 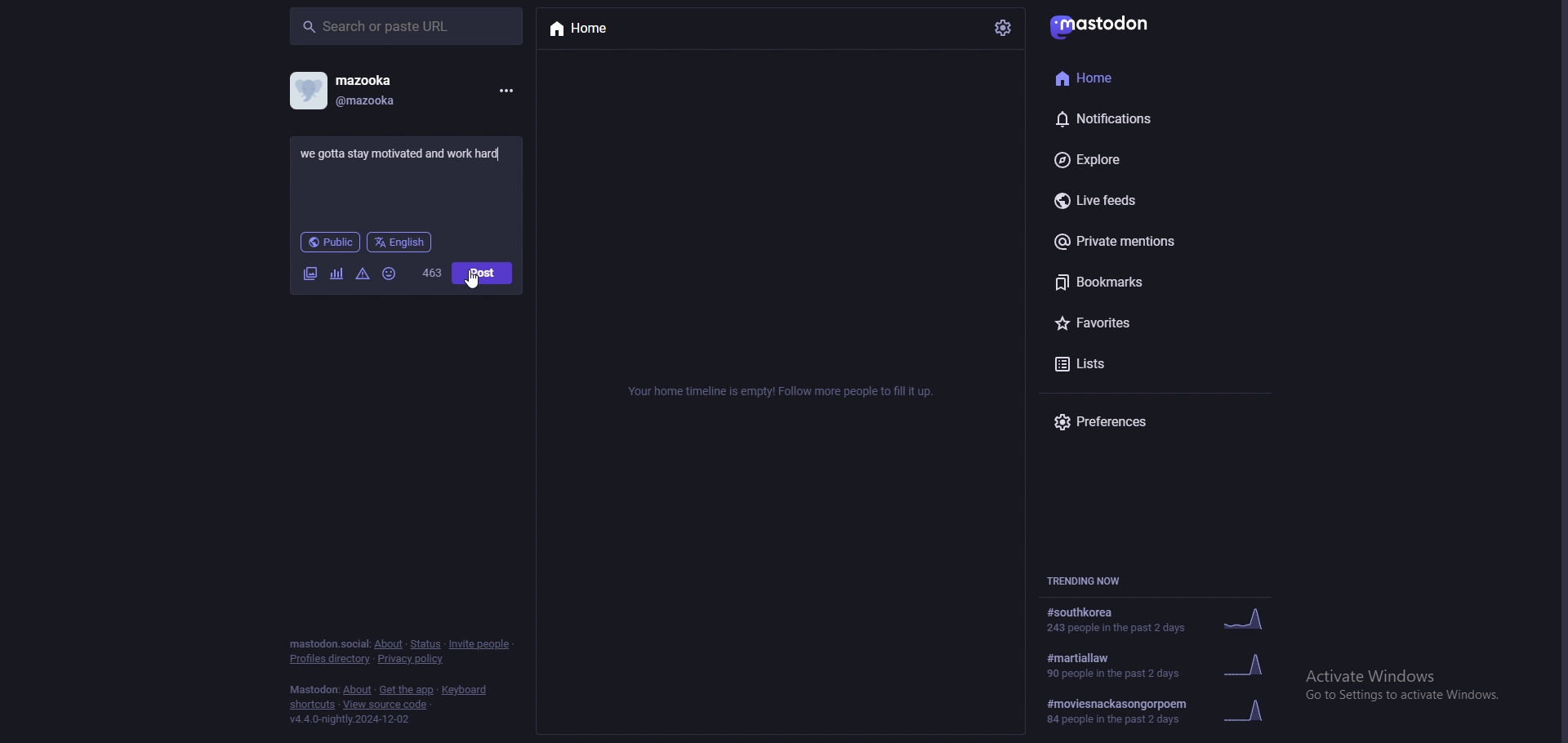 What do you see at coordinates (329, 242) in the screenshot?
I see `public` at bounding box center [329, 242].